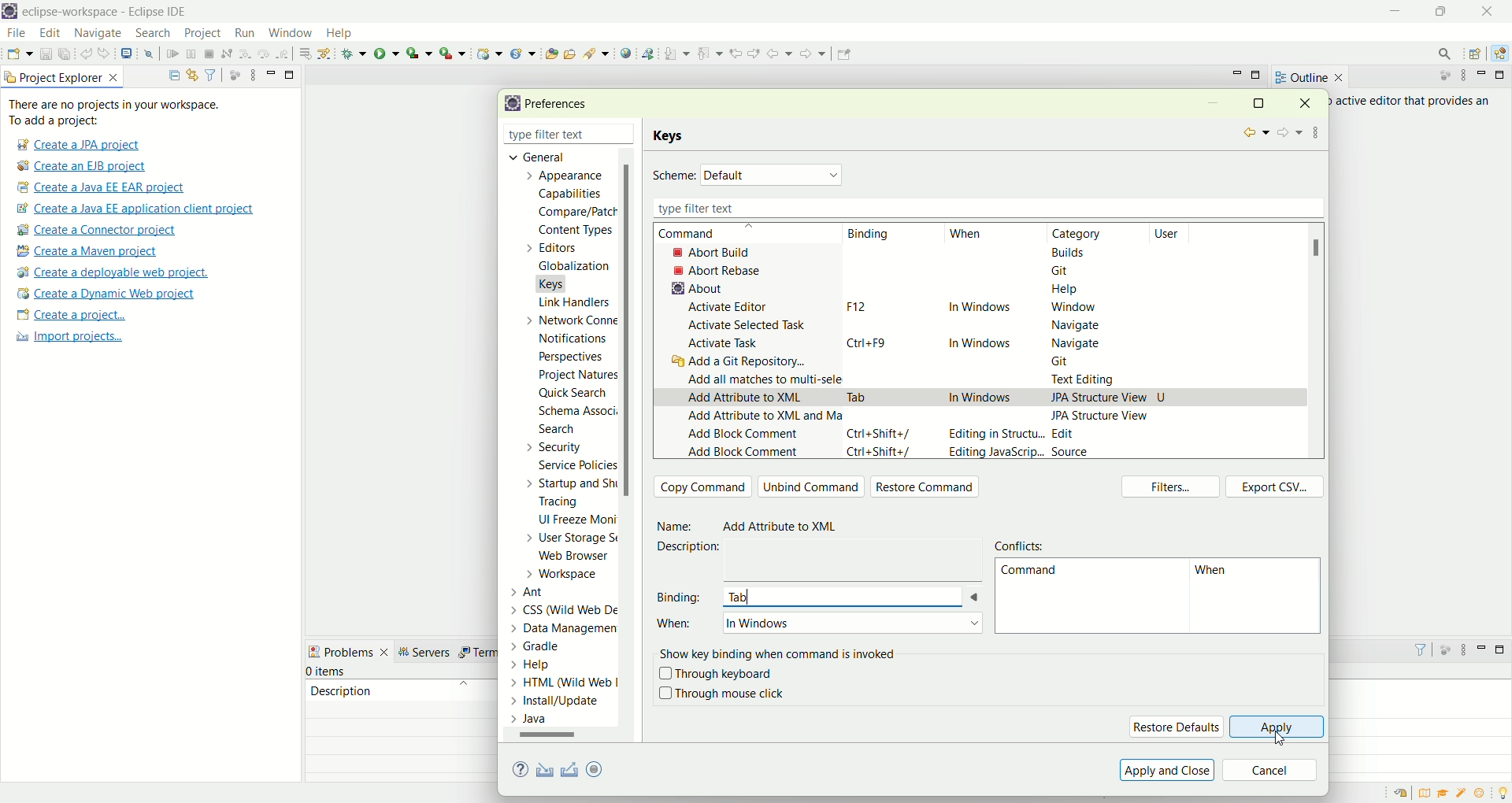  Describe the element at coordinates (1321, 248) in the screenshot. I see `scroll bar` at that location.